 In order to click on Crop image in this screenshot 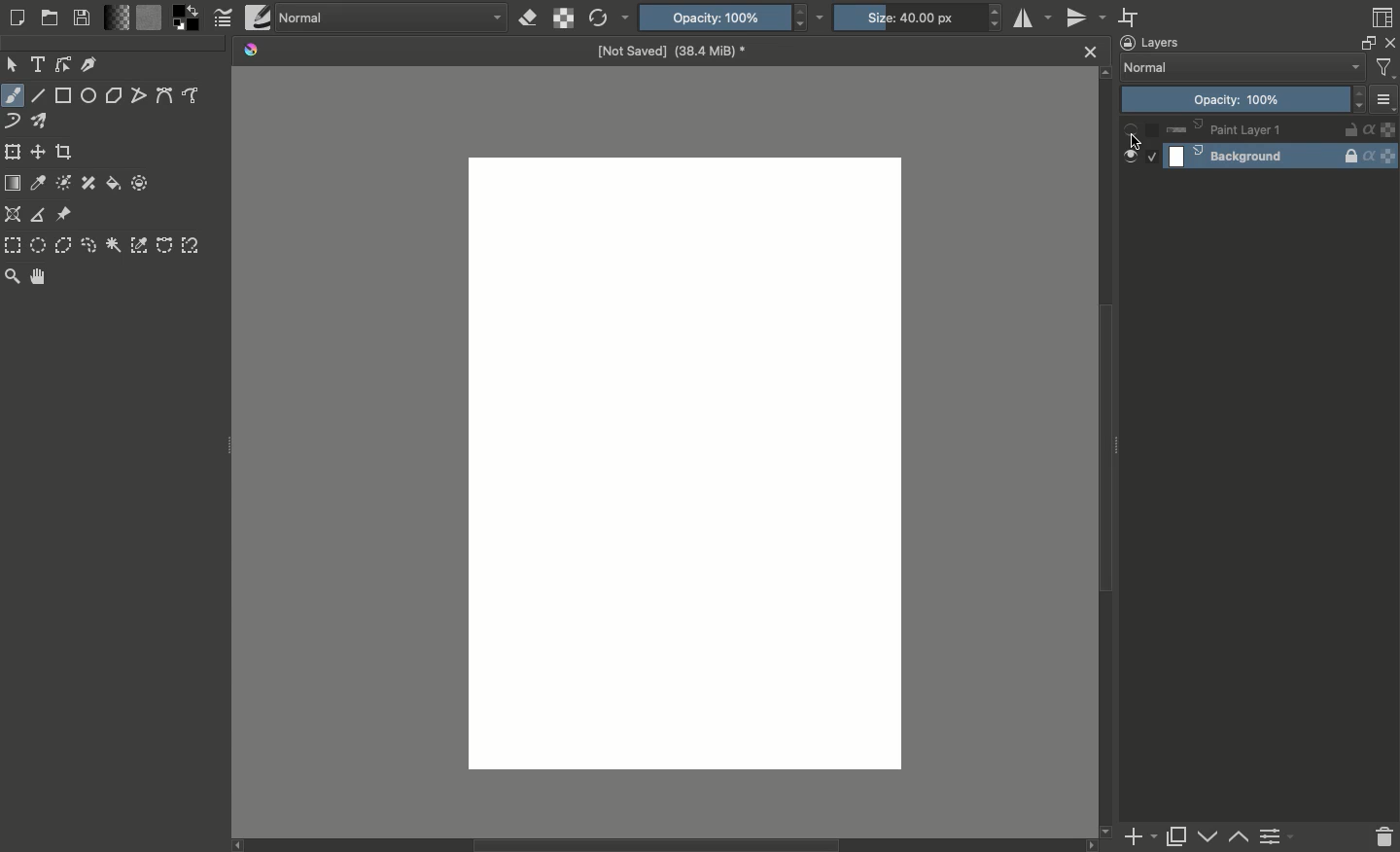, I will do `click(75, 150)`.